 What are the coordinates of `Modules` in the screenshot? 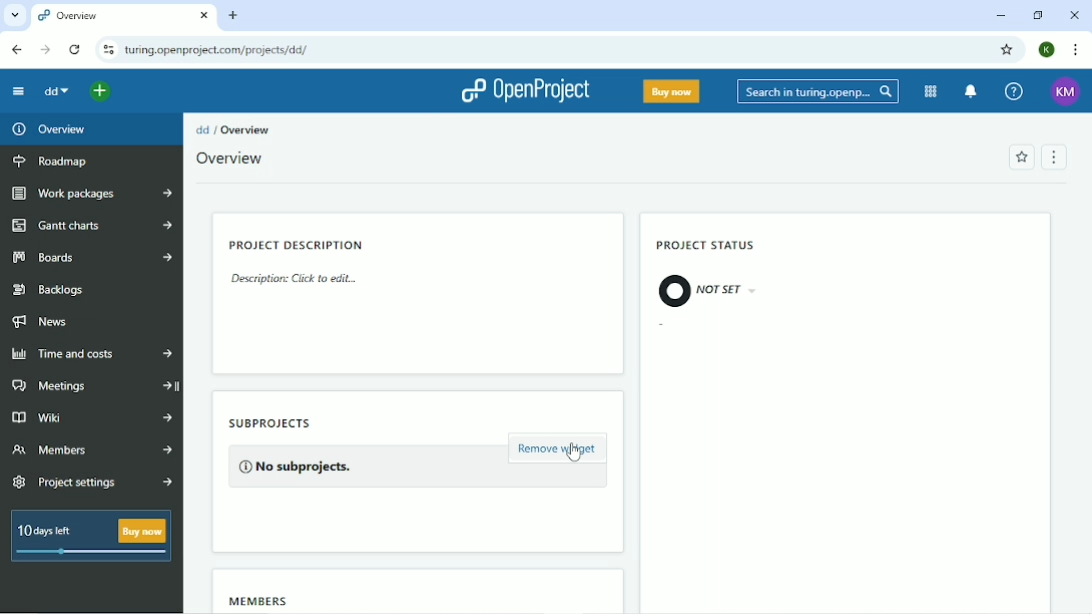 It's located at (930, 92).